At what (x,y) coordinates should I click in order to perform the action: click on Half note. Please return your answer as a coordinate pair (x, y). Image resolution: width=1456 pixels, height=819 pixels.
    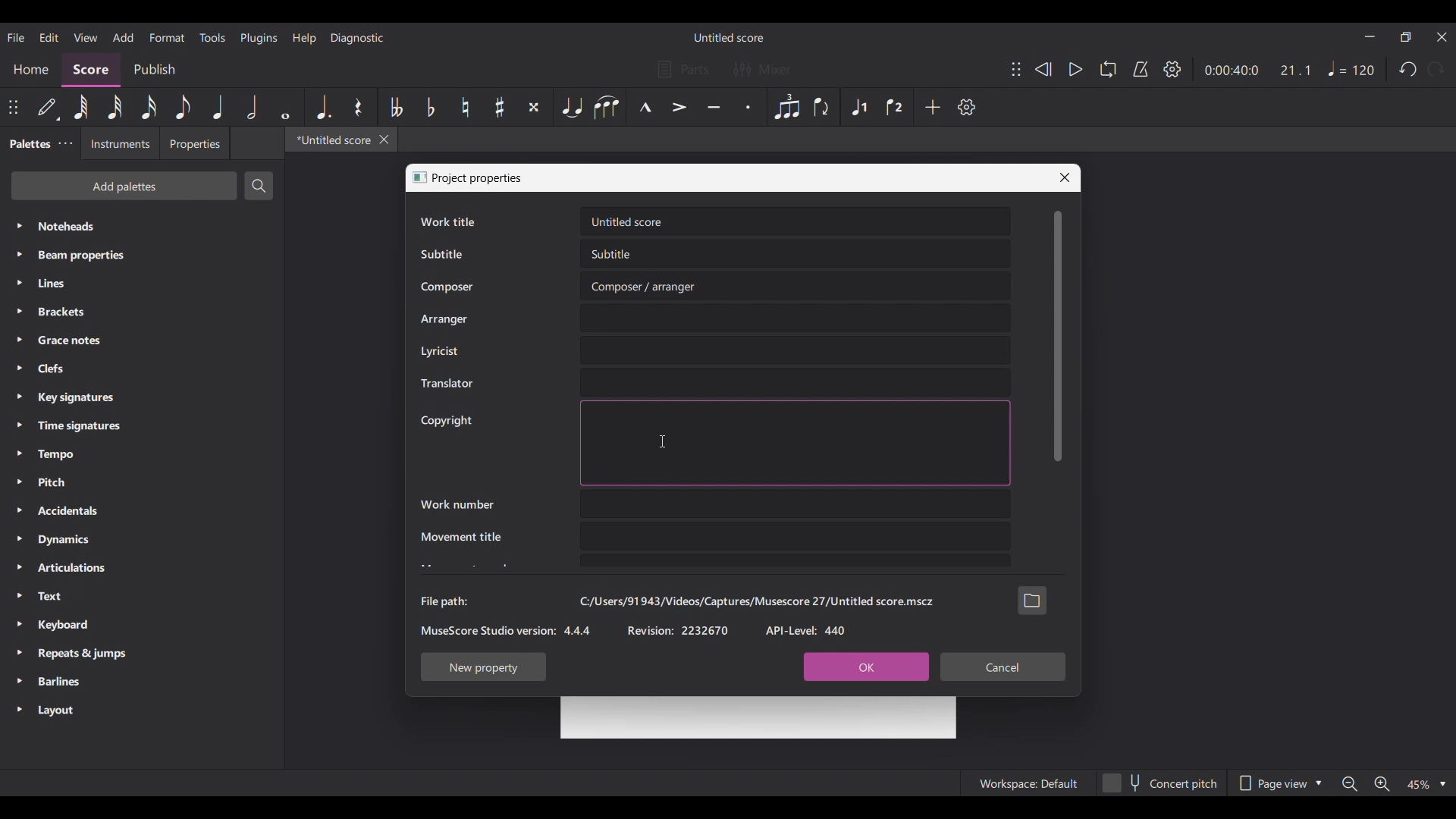
    Looking at the image, I should click on (252, 107).